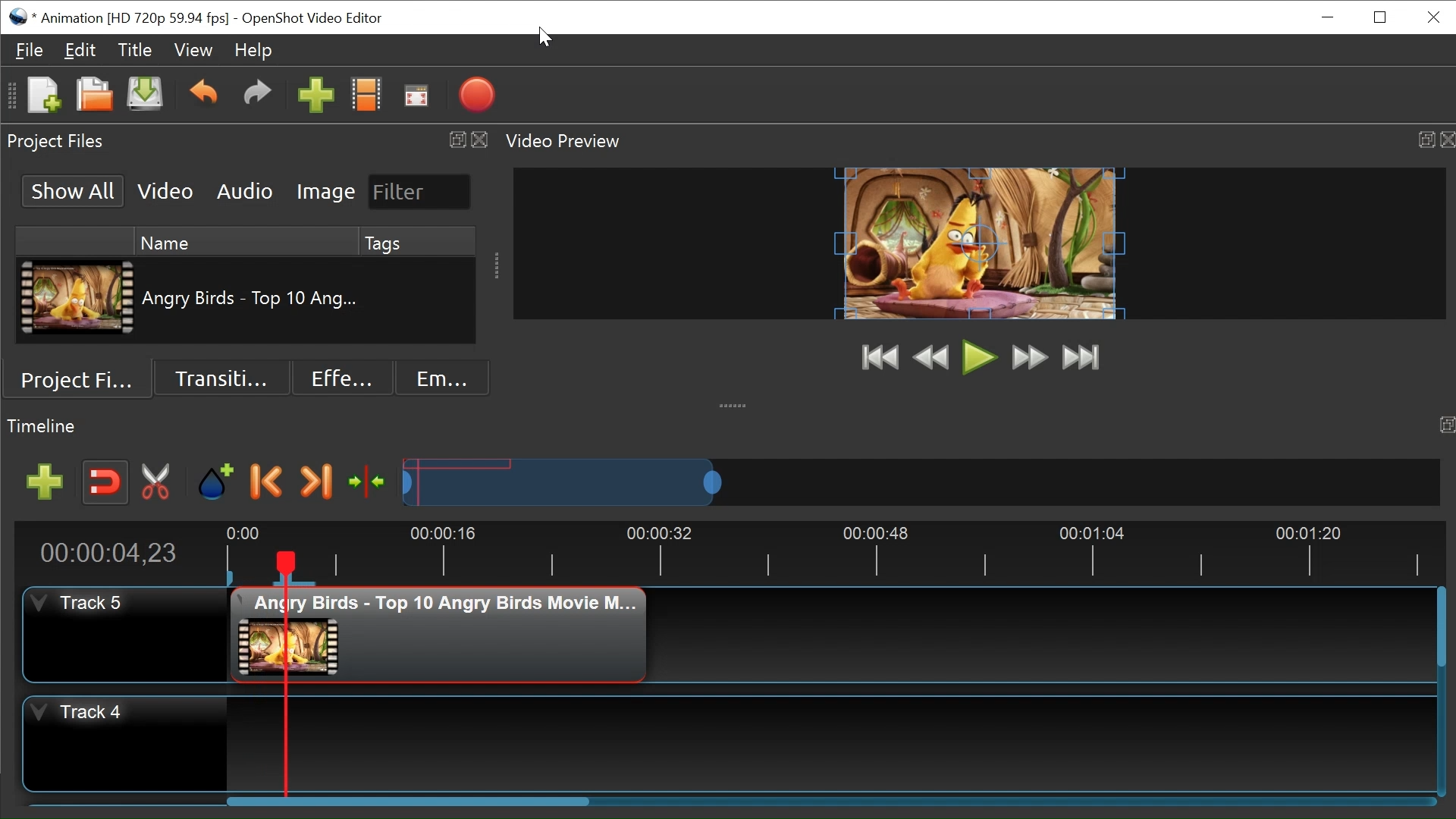  I want to click on View, so click(193, 50).